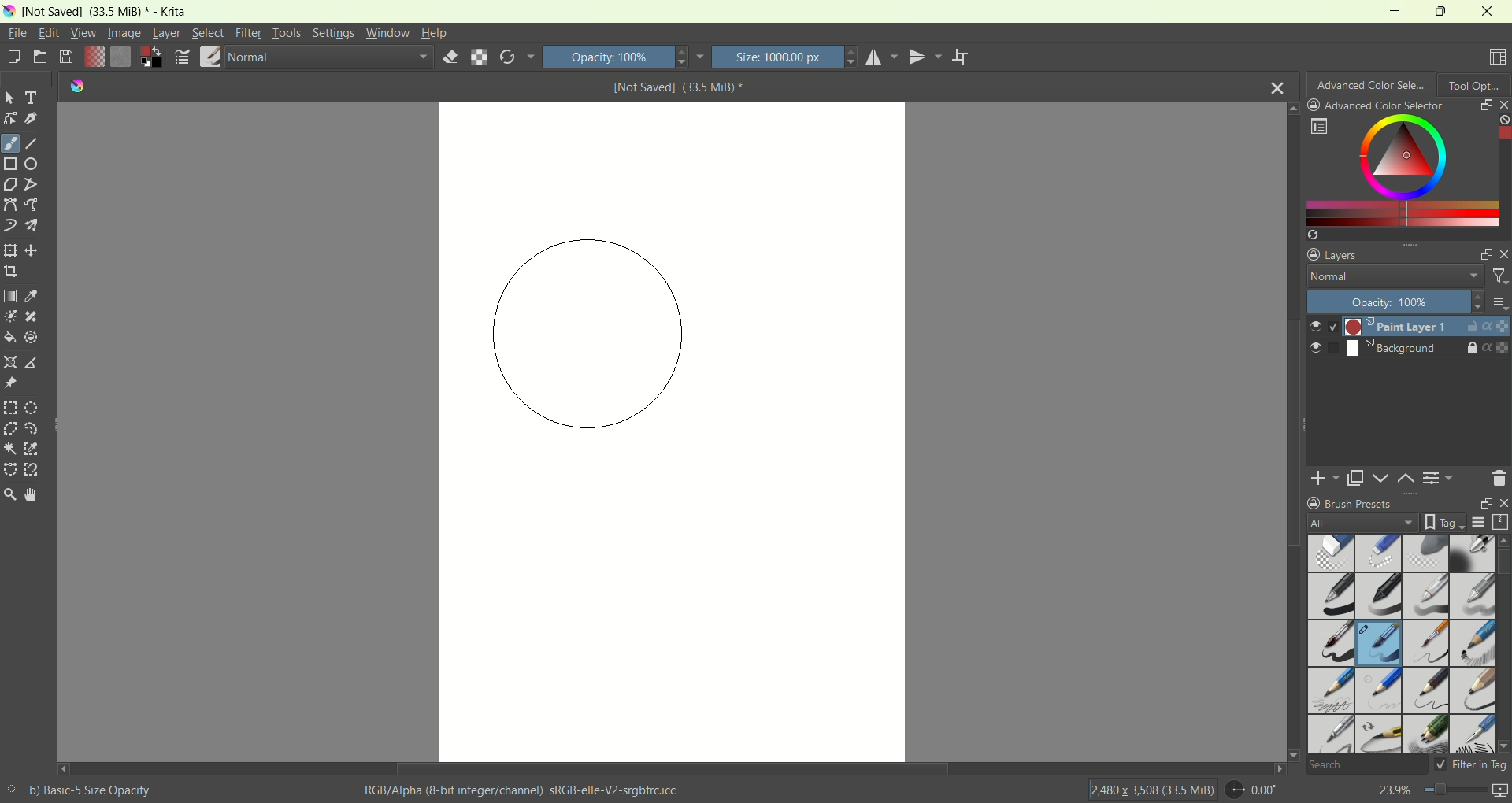  What do you see at coordinates (33, 470) in the screenshot?
I see `magnetic curve selection` at bounding box center [33, 470].